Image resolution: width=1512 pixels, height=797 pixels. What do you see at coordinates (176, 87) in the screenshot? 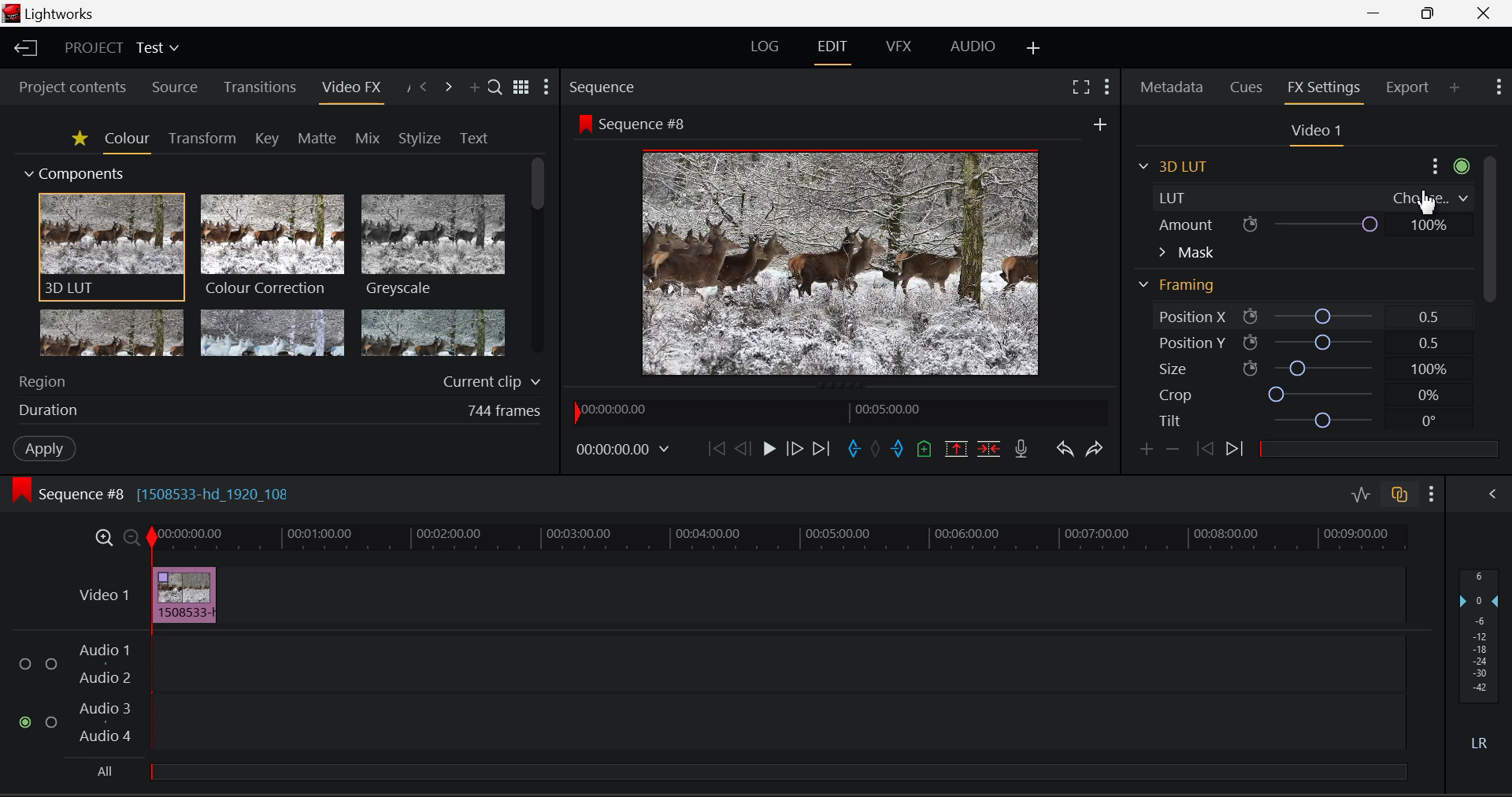
I see `Source` at bounding box center [176, 87].